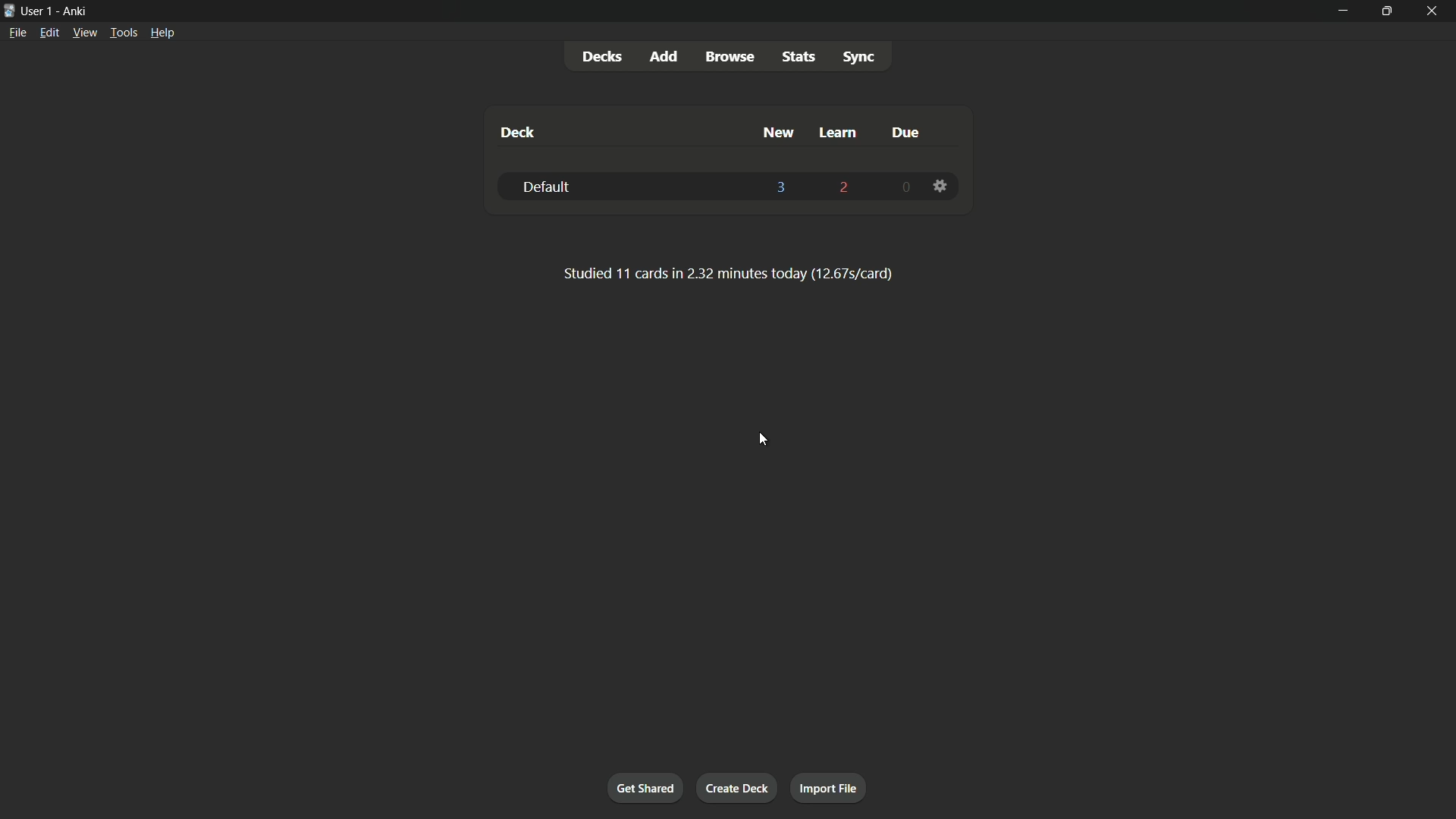 Image resolution: width=1456 pixels, height=819 pixels. Describe the element at coordinates (844, 188) in the screenshot. I see `2` at that location.